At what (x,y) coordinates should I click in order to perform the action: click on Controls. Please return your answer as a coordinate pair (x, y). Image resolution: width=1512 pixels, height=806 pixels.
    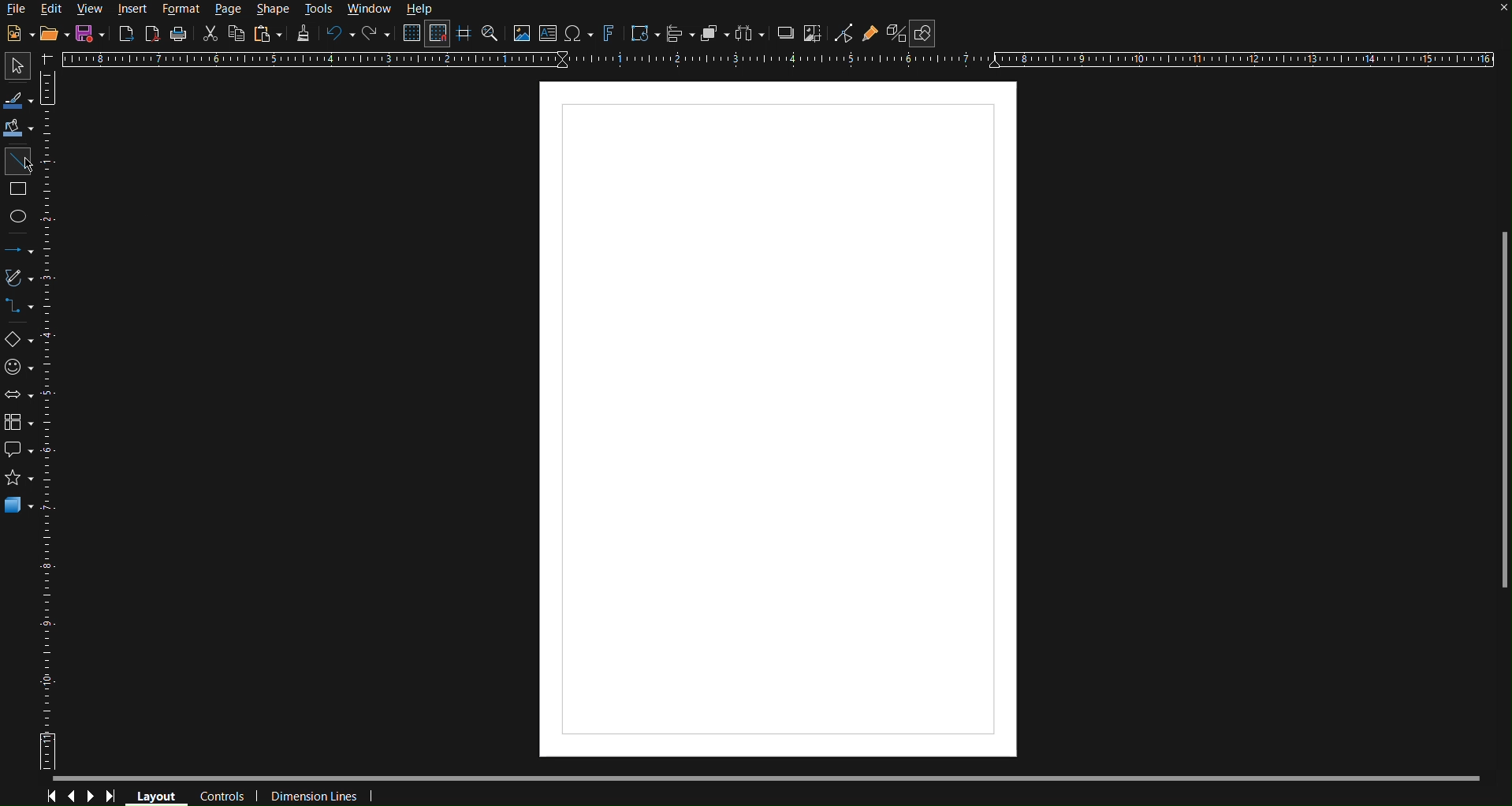
    Looking at the image, I should click on (221, 797).